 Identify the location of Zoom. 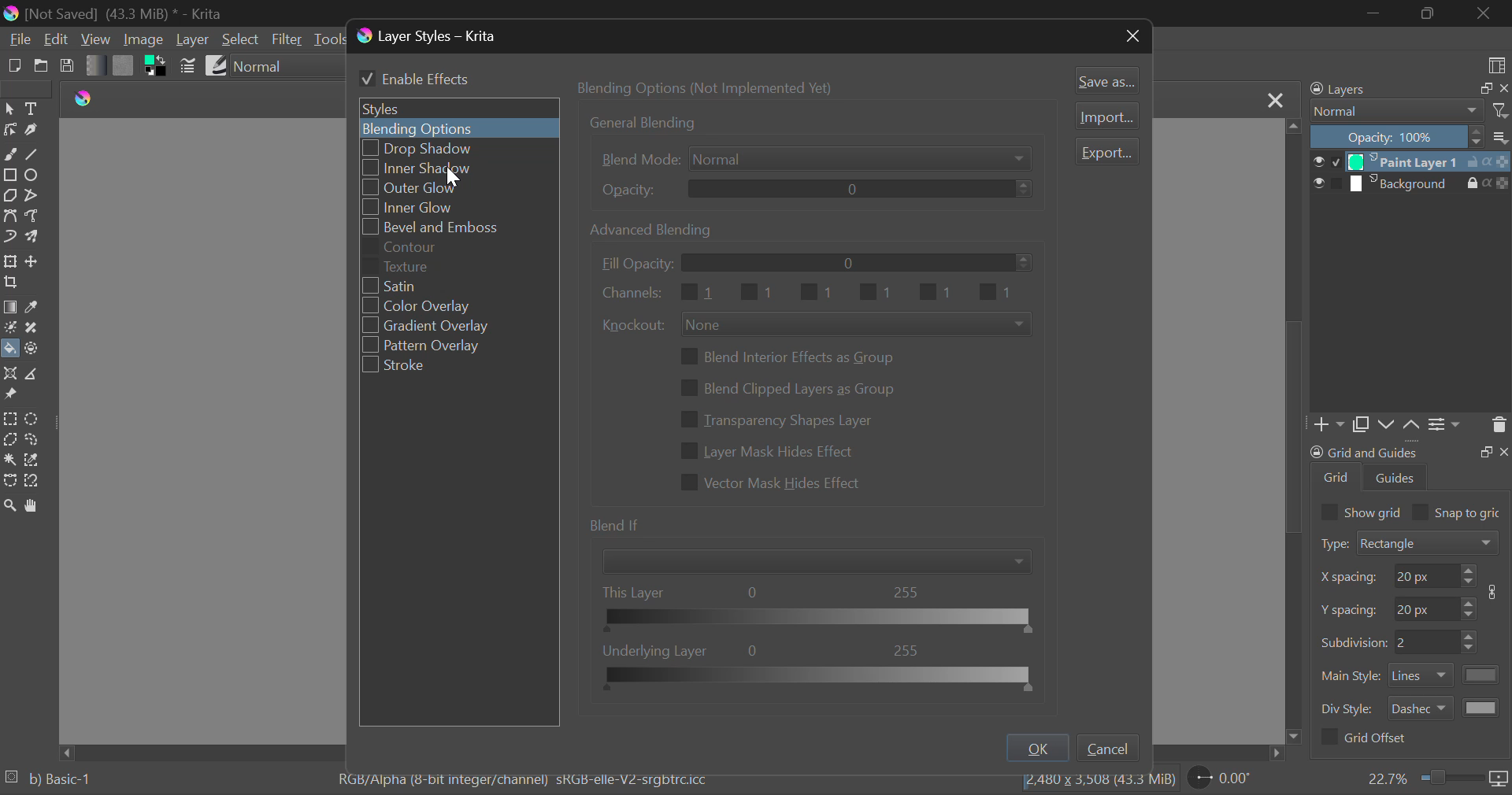
(10, 505).